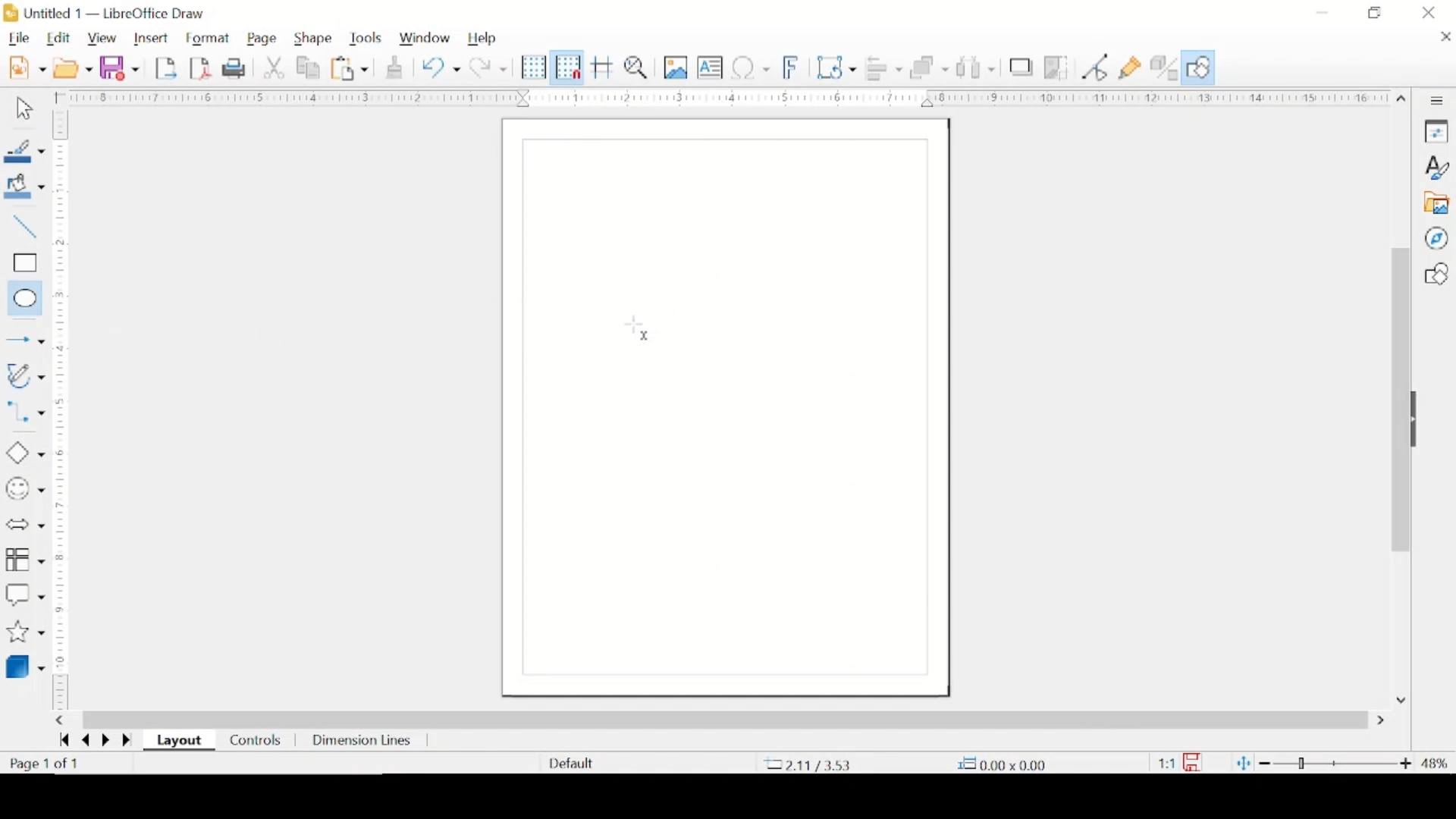 The width and height of the screenshot is (1456, 819). Describe the element at coordinates (154, 38) in the screenshot. I see `insert` at that location.